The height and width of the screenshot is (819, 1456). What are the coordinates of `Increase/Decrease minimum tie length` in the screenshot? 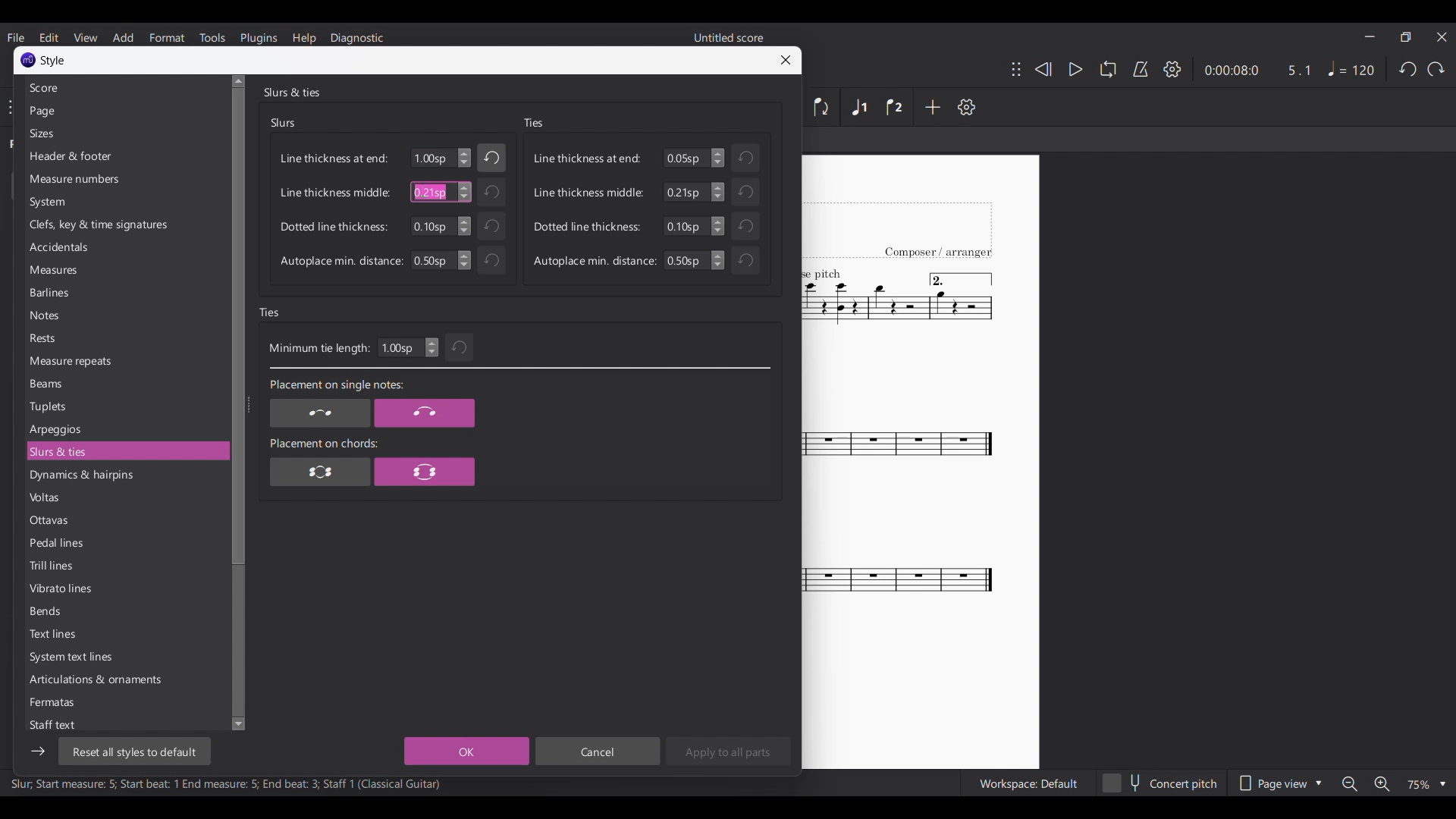 It's located at (431, 347).